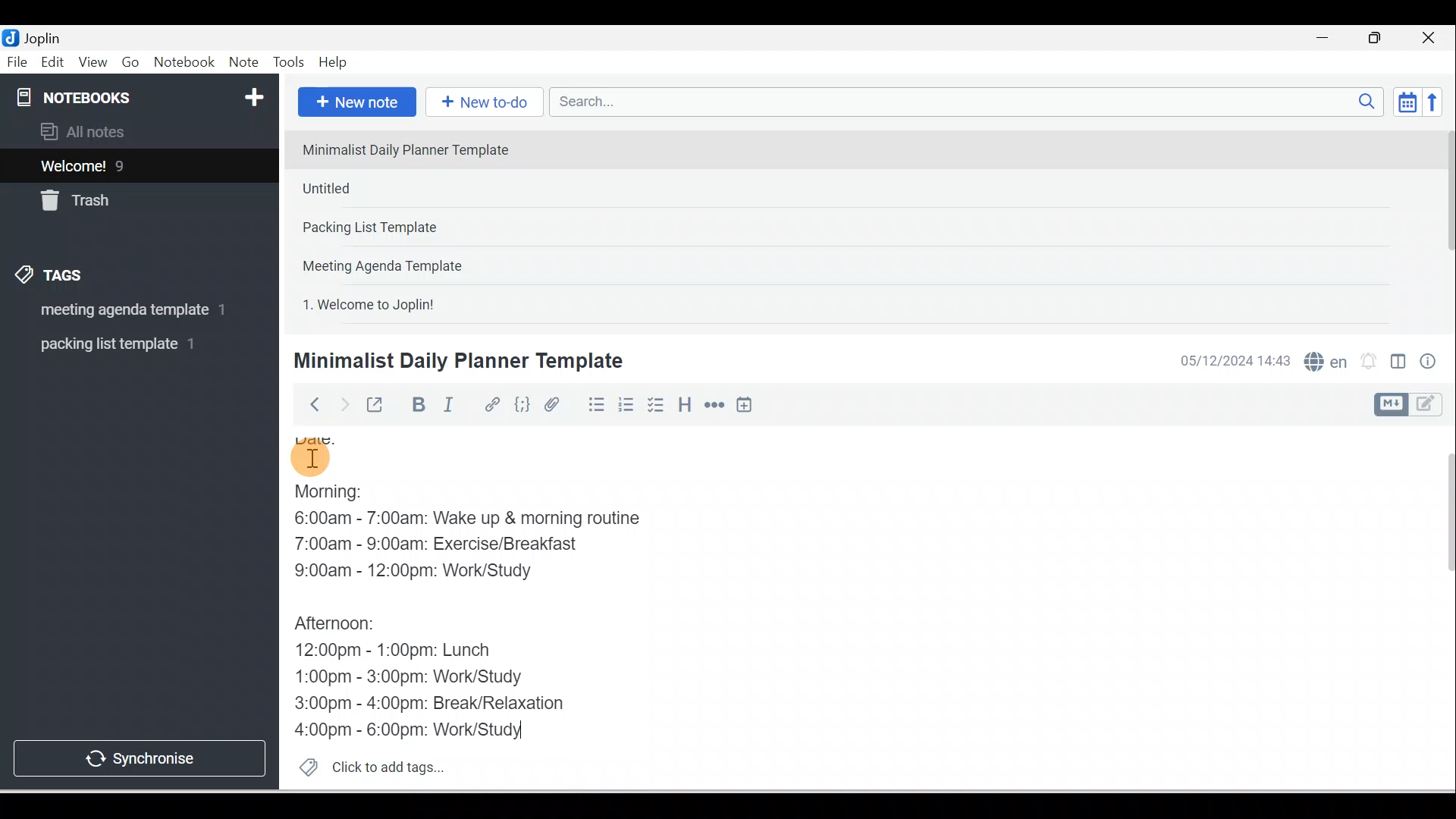 This screenshot has width=1456, height=819. Describe the element at coordinates (716, 405) in the screenshot. I see `Horizontal rule` at that location.